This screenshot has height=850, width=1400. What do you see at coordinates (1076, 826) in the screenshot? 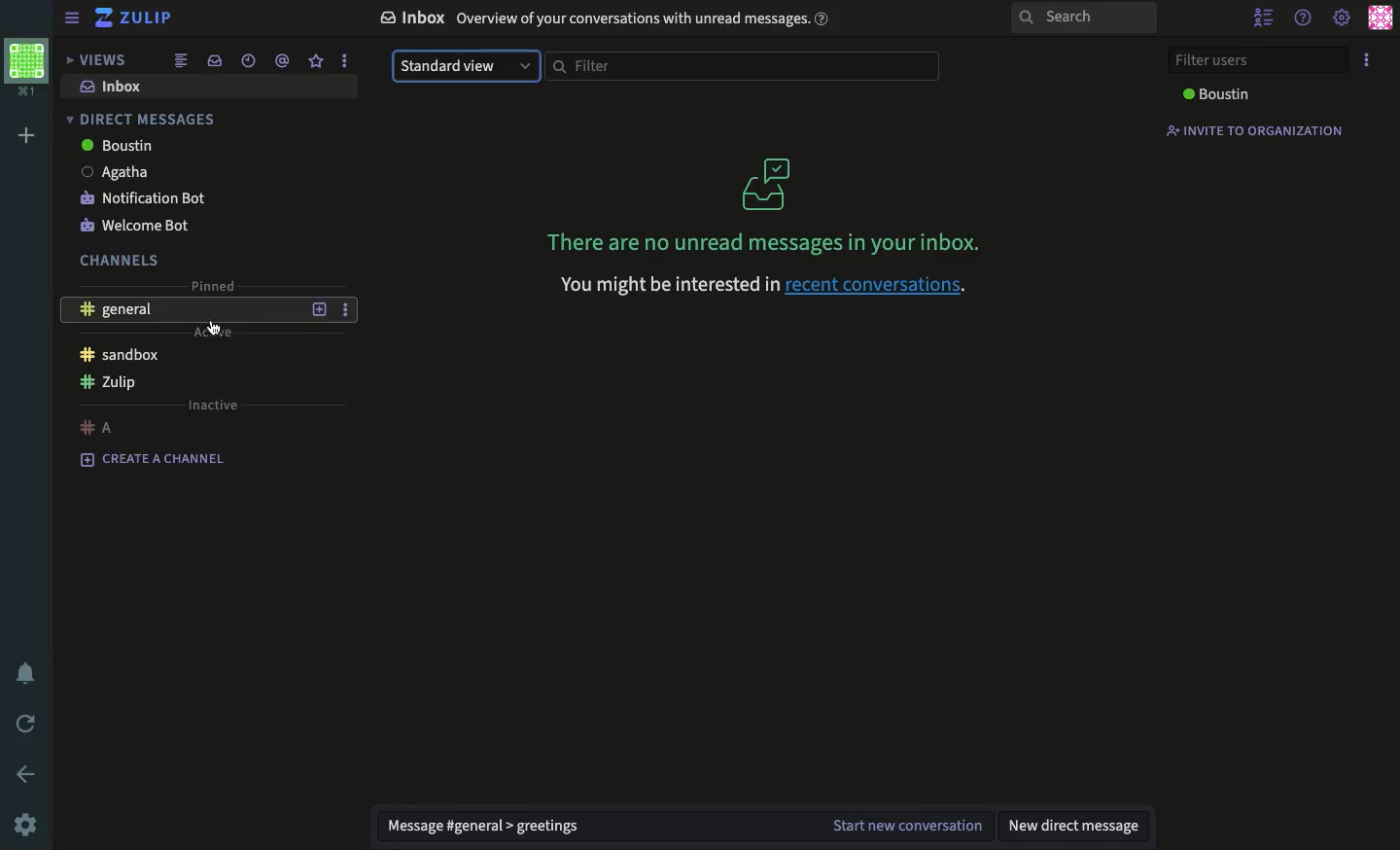
I see `new direct message` at bounding box center [1076, 826].